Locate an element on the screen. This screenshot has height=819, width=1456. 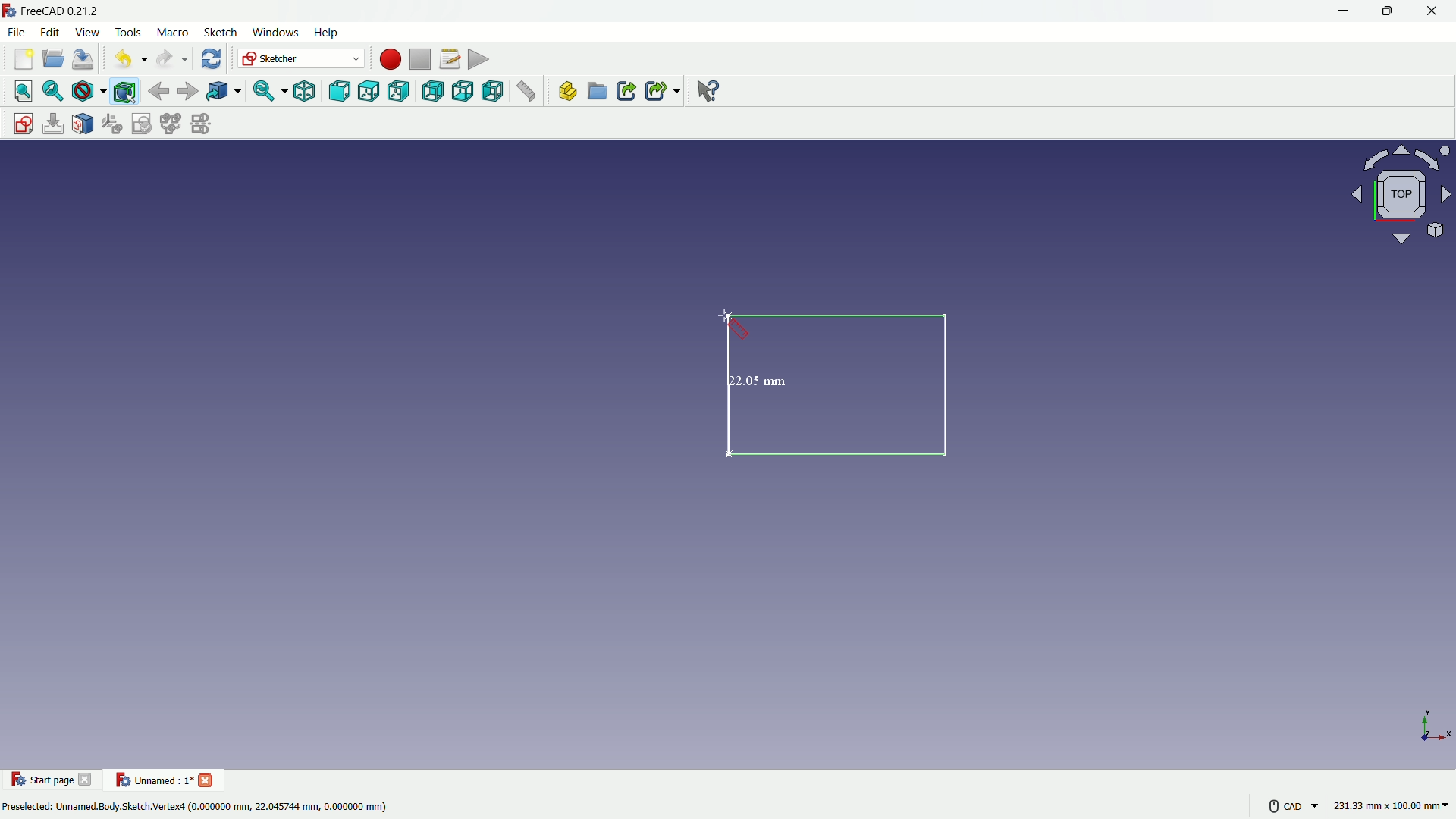
22.05 mm is located at coordinates (759, 378).